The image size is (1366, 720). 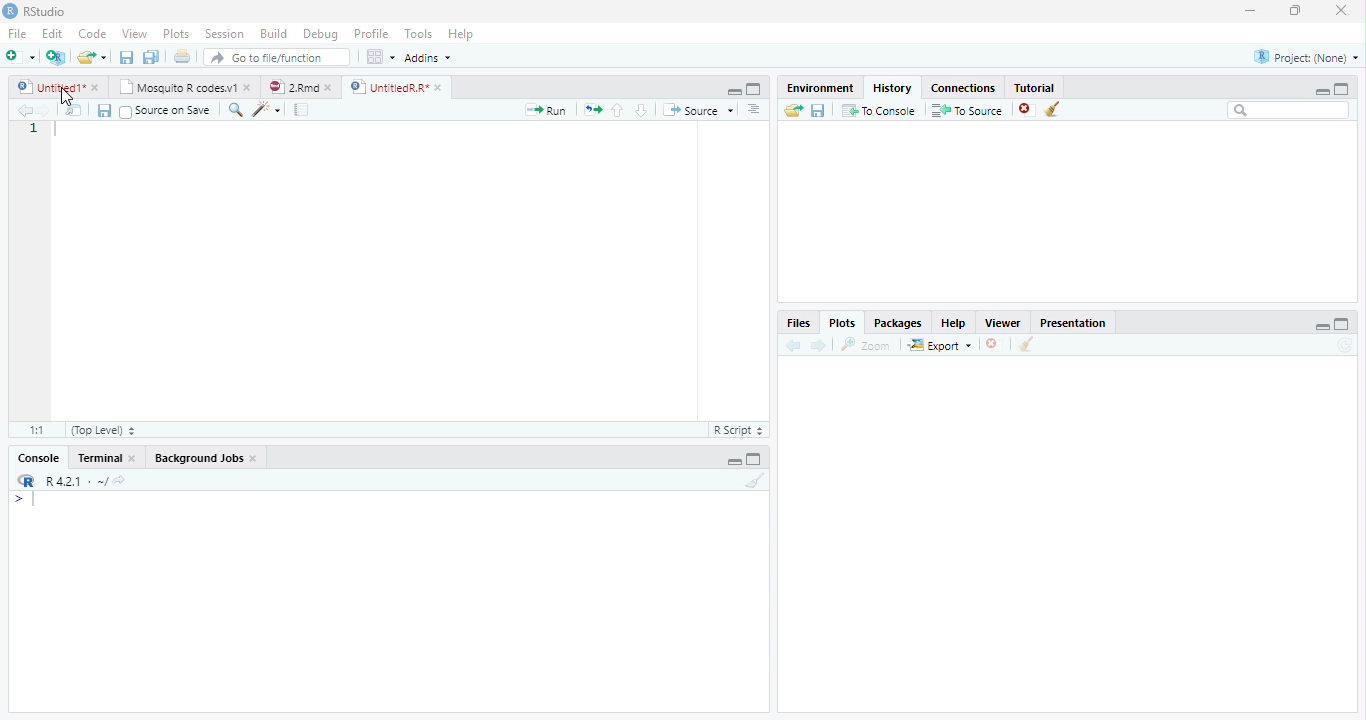 What do you see at coordinates (430, 60) in the screenshot?
I see `Addins` at bounding box center [430, 60].